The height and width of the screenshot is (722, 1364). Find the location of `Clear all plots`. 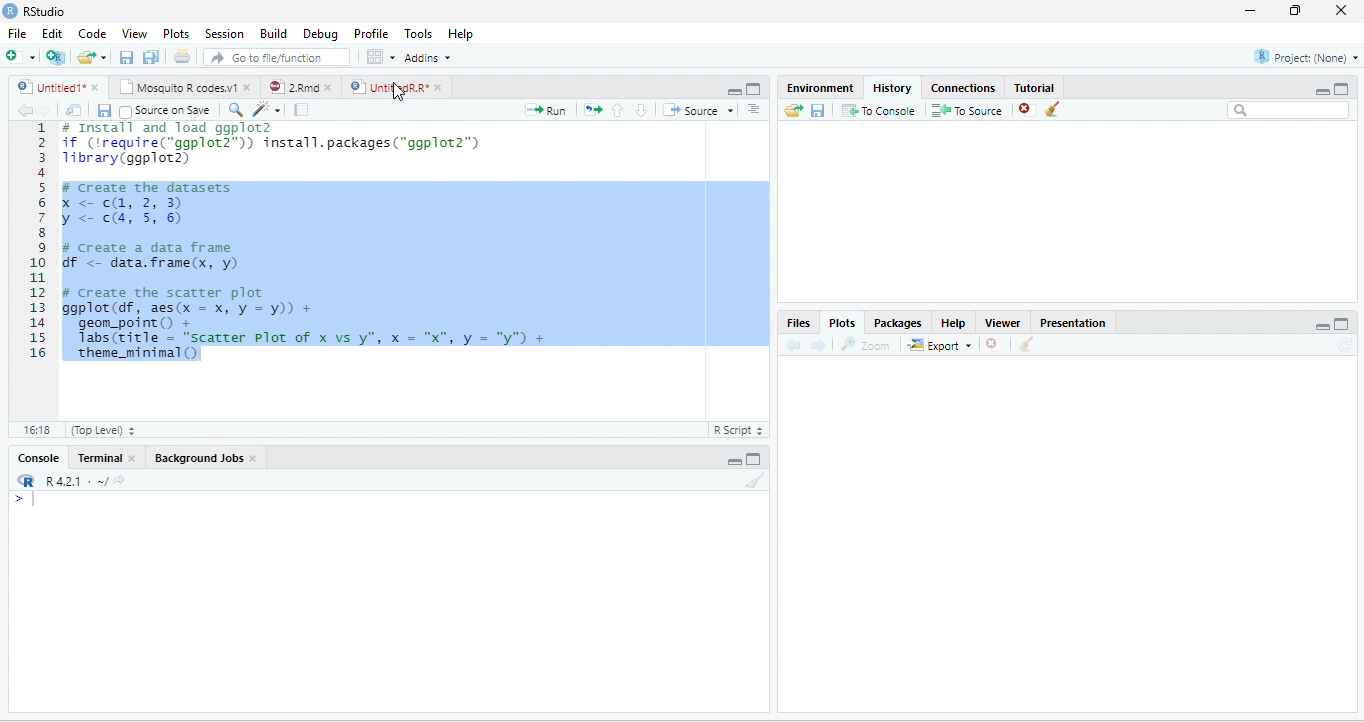

Clear all plots is located at coordinates (1027, 344).